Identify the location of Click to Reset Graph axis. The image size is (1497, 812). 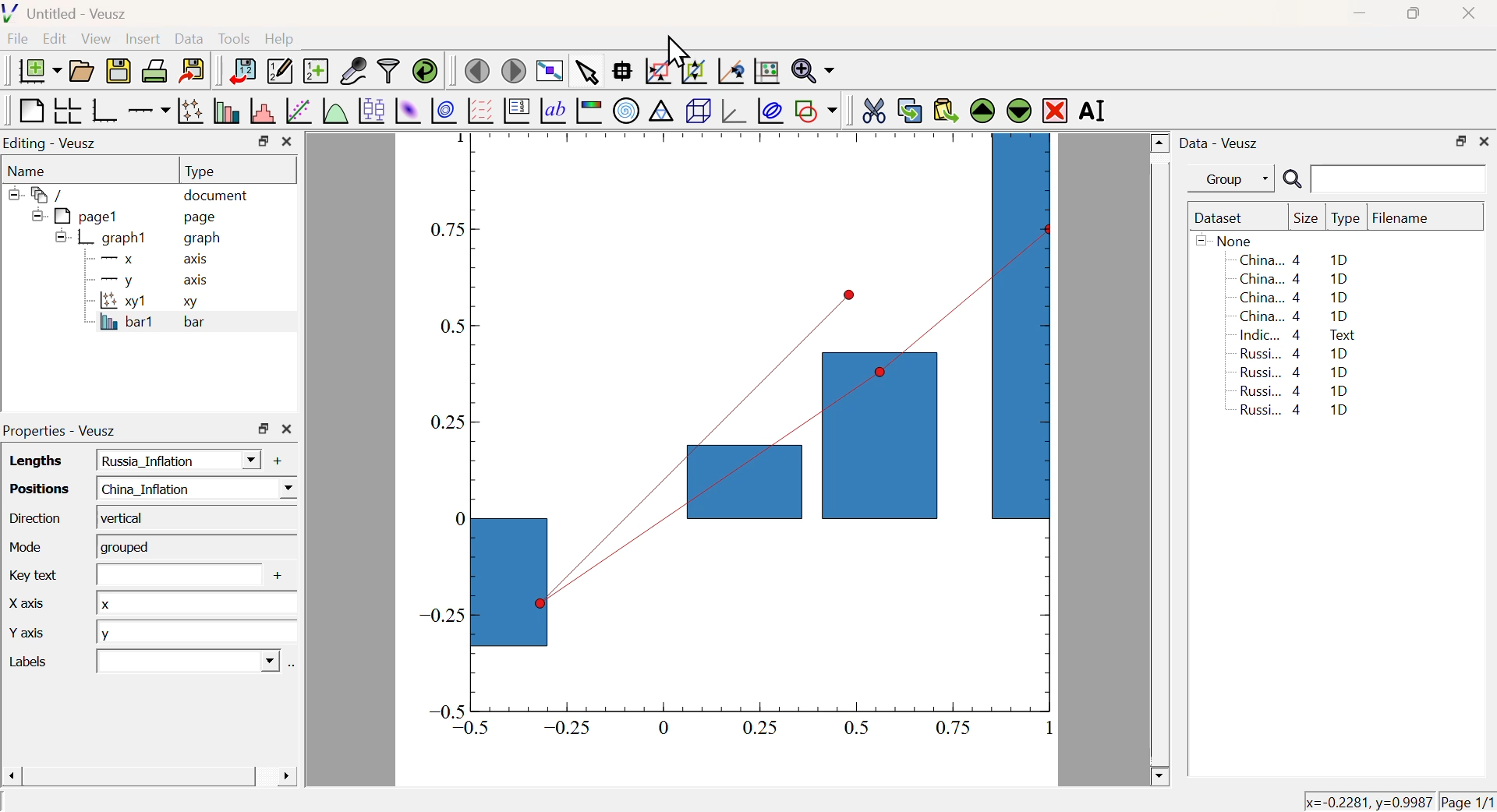
(766, 69).